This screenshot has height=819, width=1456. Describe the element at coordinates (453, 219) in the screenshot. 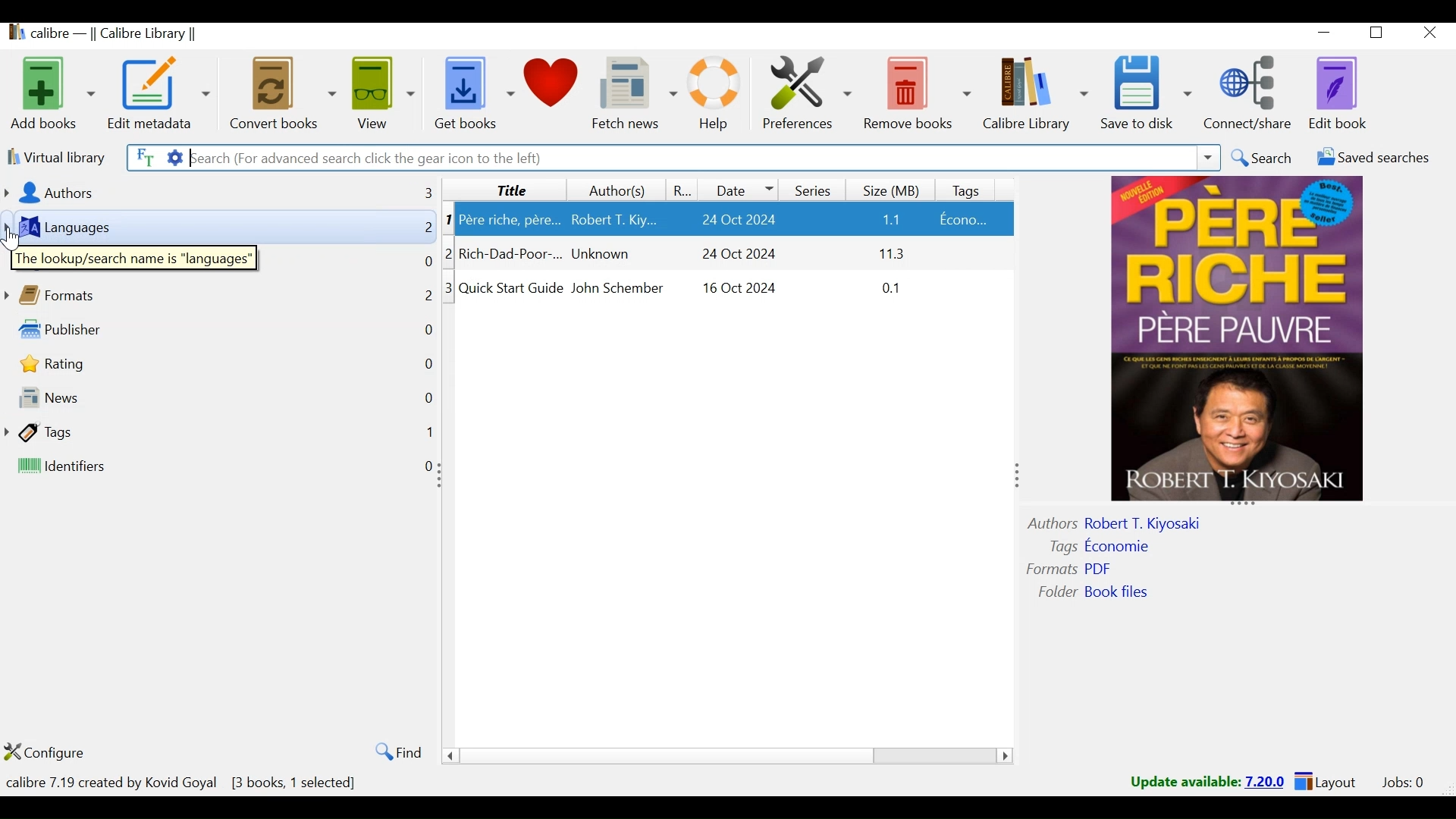

I see `1` at that location.